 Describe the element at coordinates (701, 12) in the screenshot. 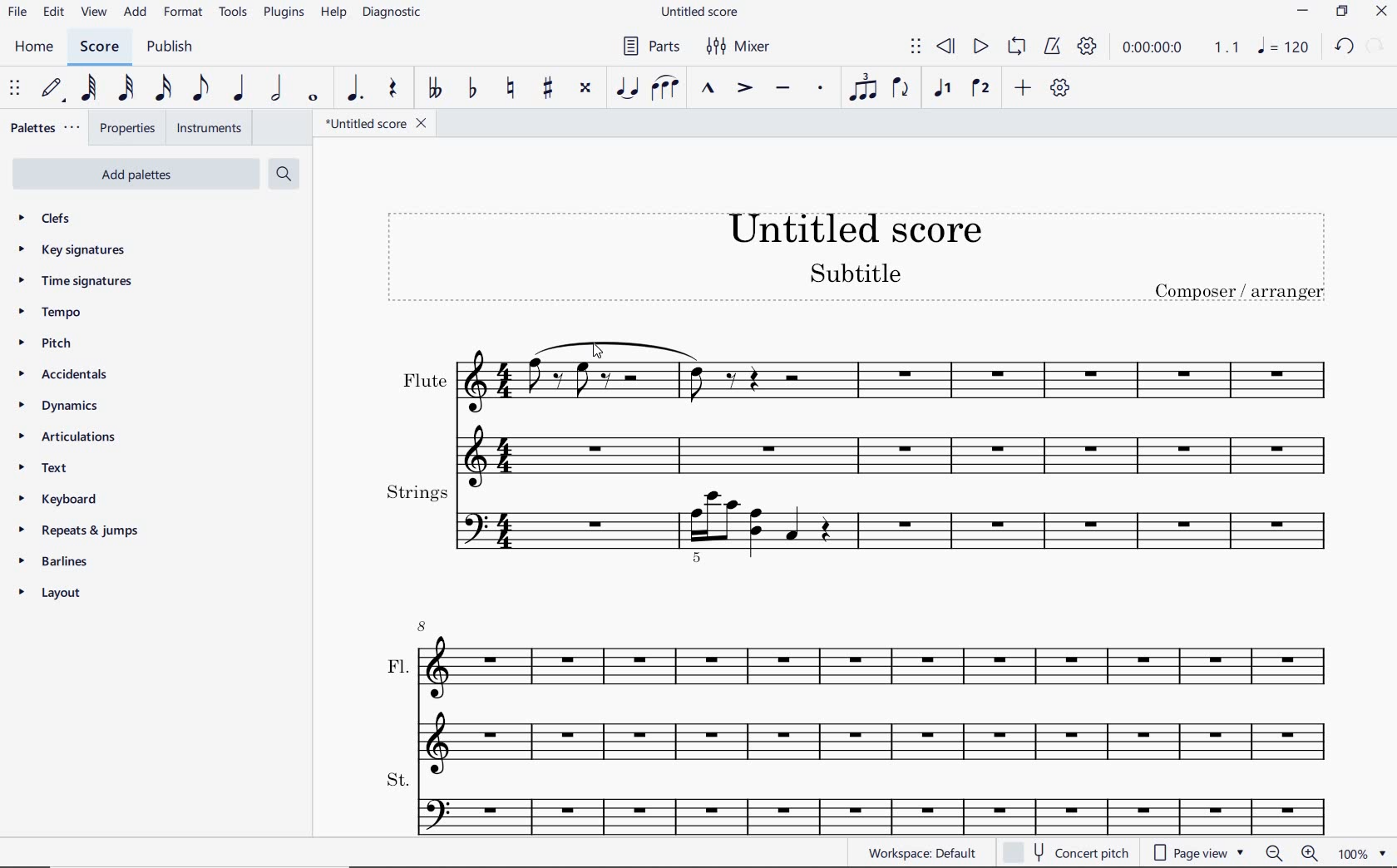

I see `file name` at that location.